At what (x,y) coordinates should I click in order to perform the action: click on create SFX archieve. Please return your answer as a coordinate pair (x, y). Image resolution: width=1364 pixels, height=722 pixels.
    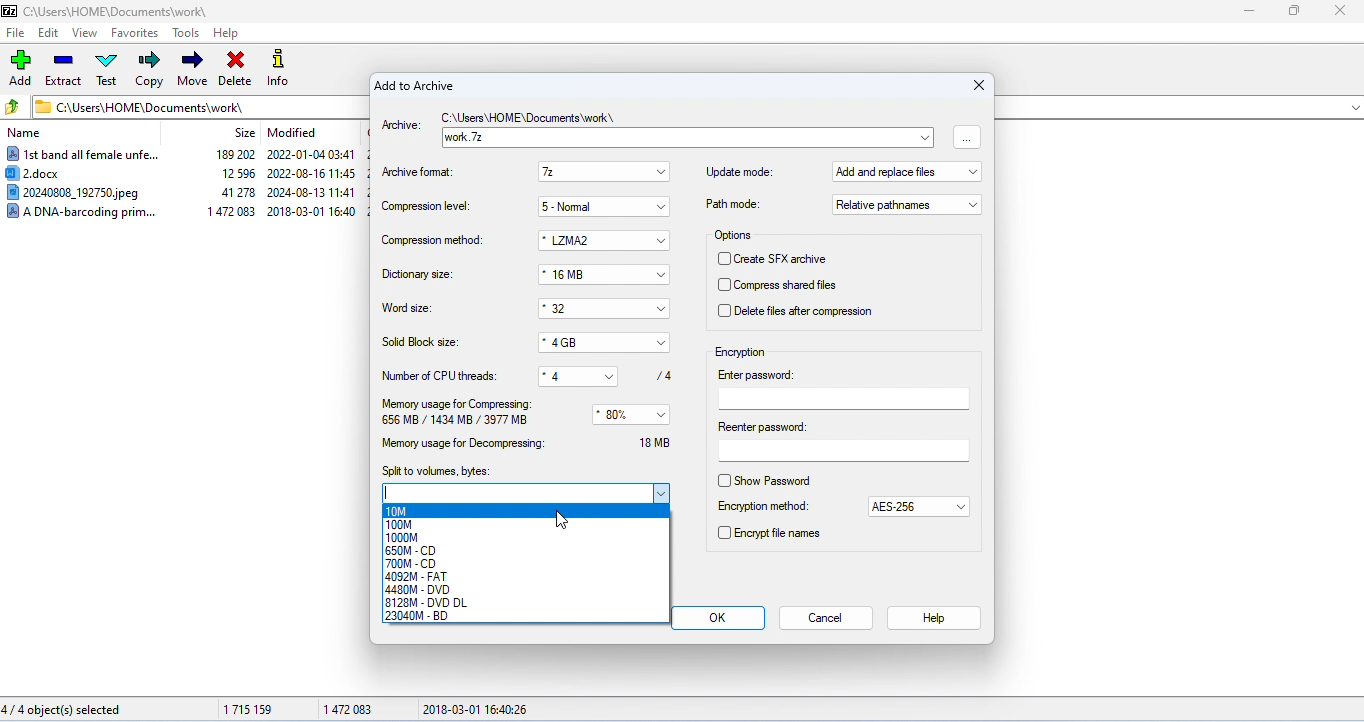
    Looking at the image, I should click on (790, 259).